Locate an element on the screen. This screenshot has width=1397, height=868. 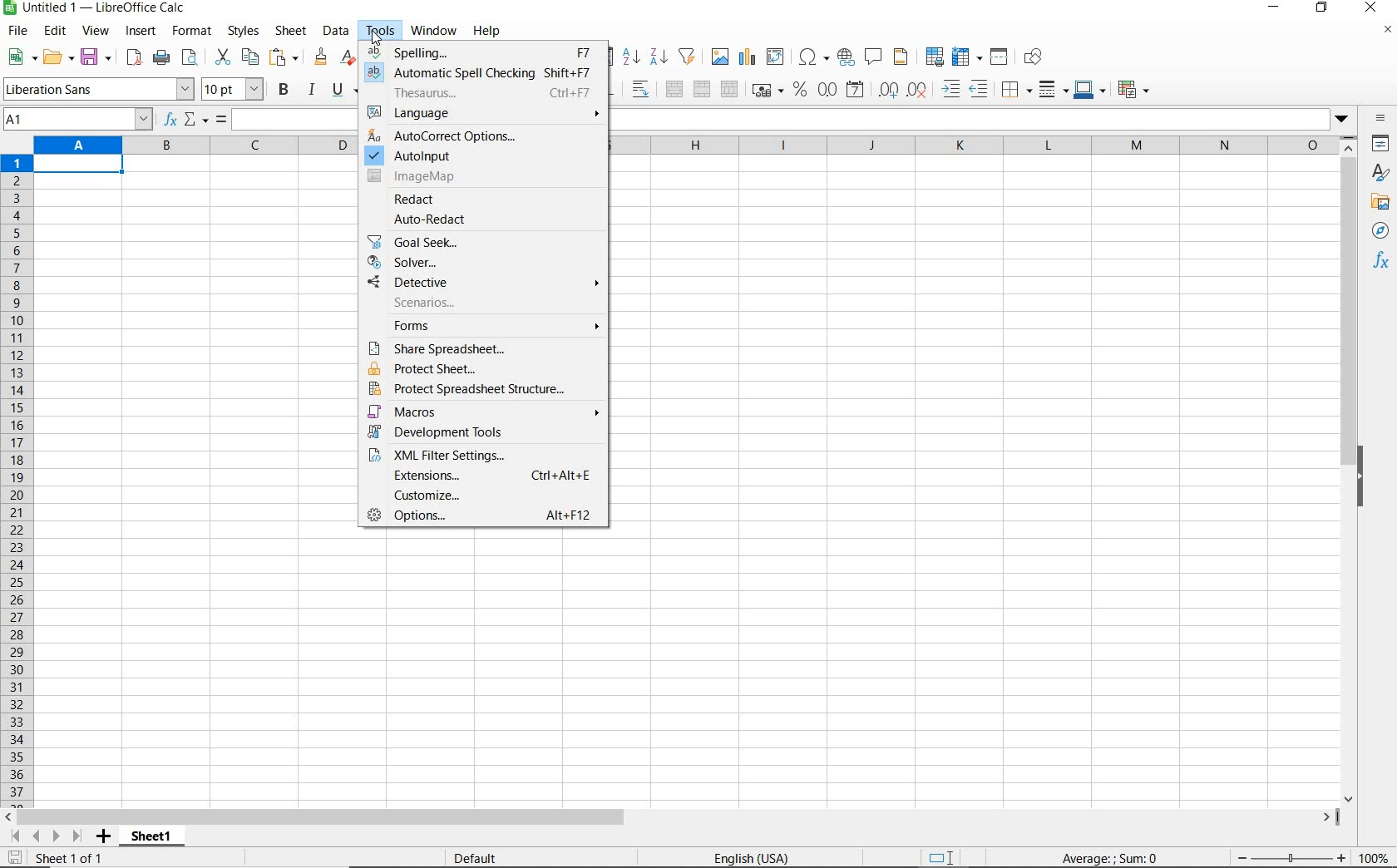
file name is located at coordinates (96, 8).